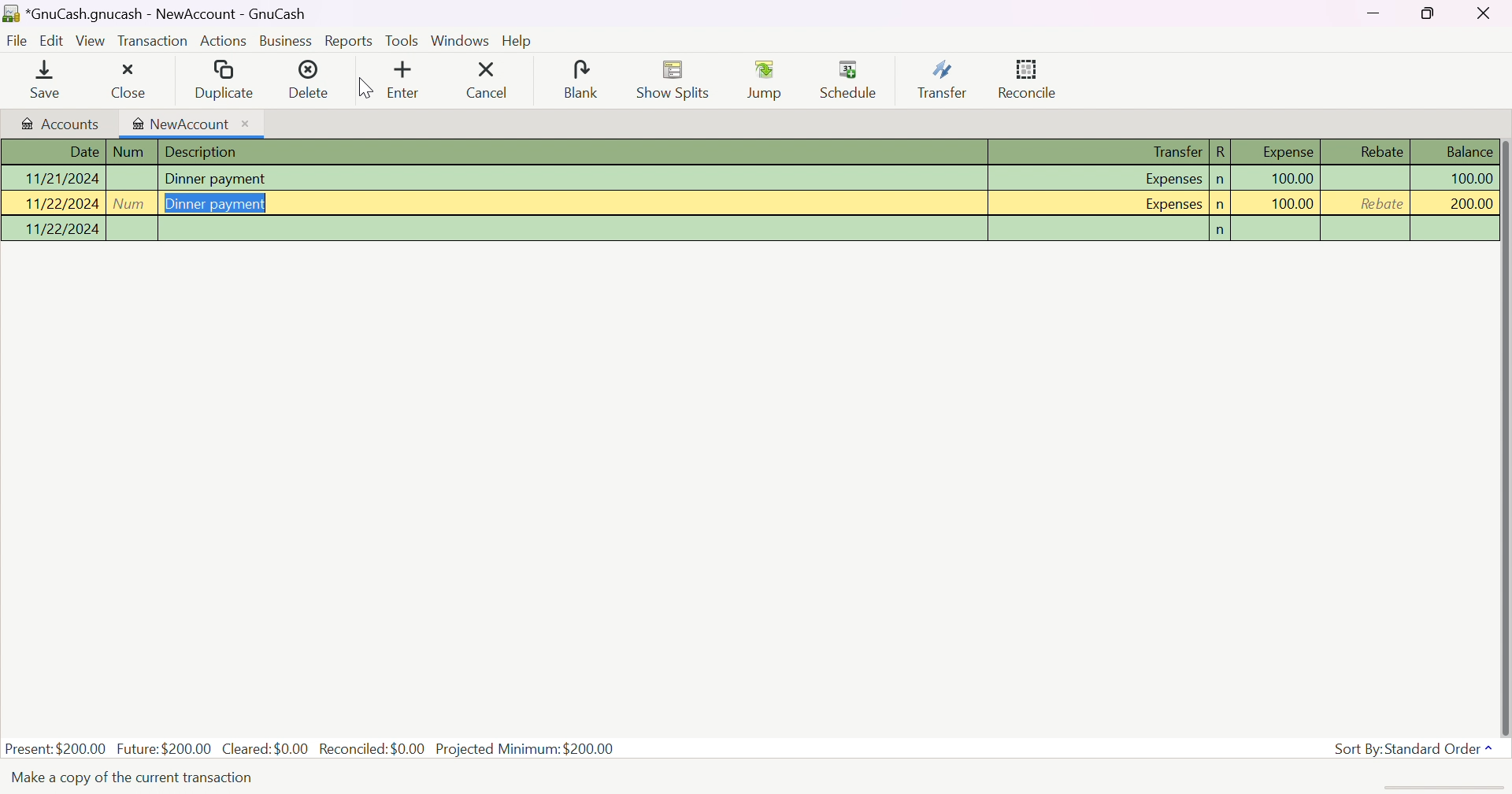 The image size is (1512, 794). I want to click on Transfer, so click(944, 80).